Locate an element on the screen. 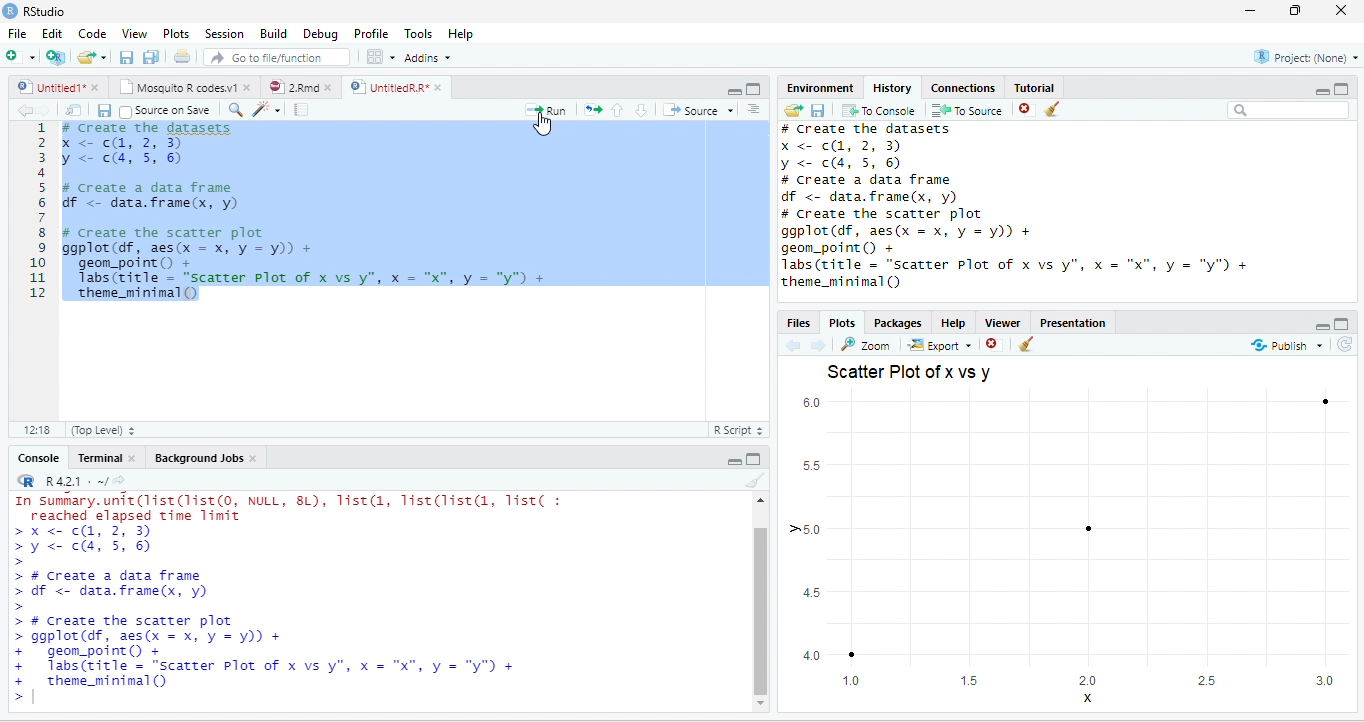  Edit is located at coordinates (51, 33).